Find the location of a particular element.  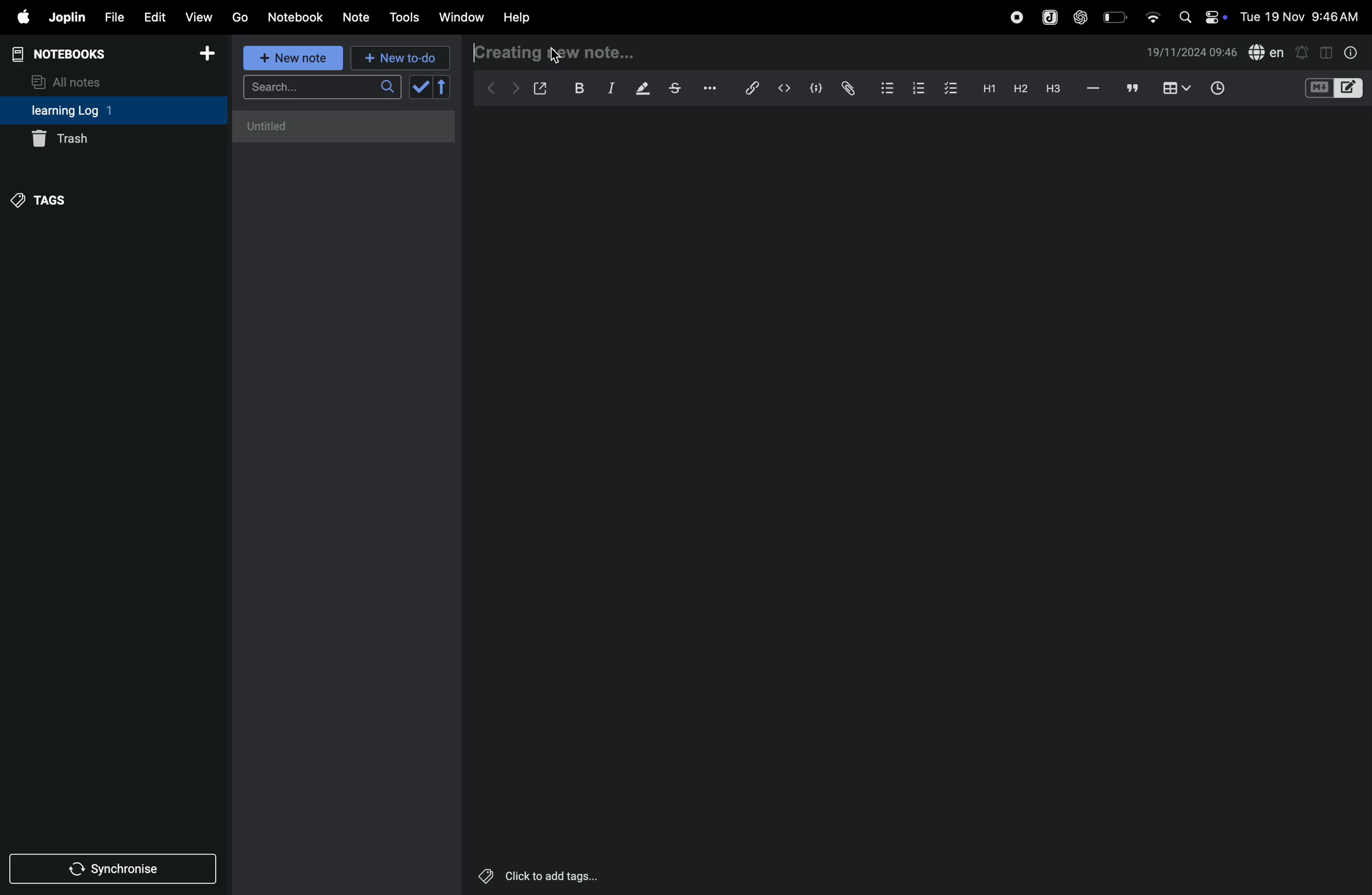

heading 2 is located at coordinates (1020, 88).